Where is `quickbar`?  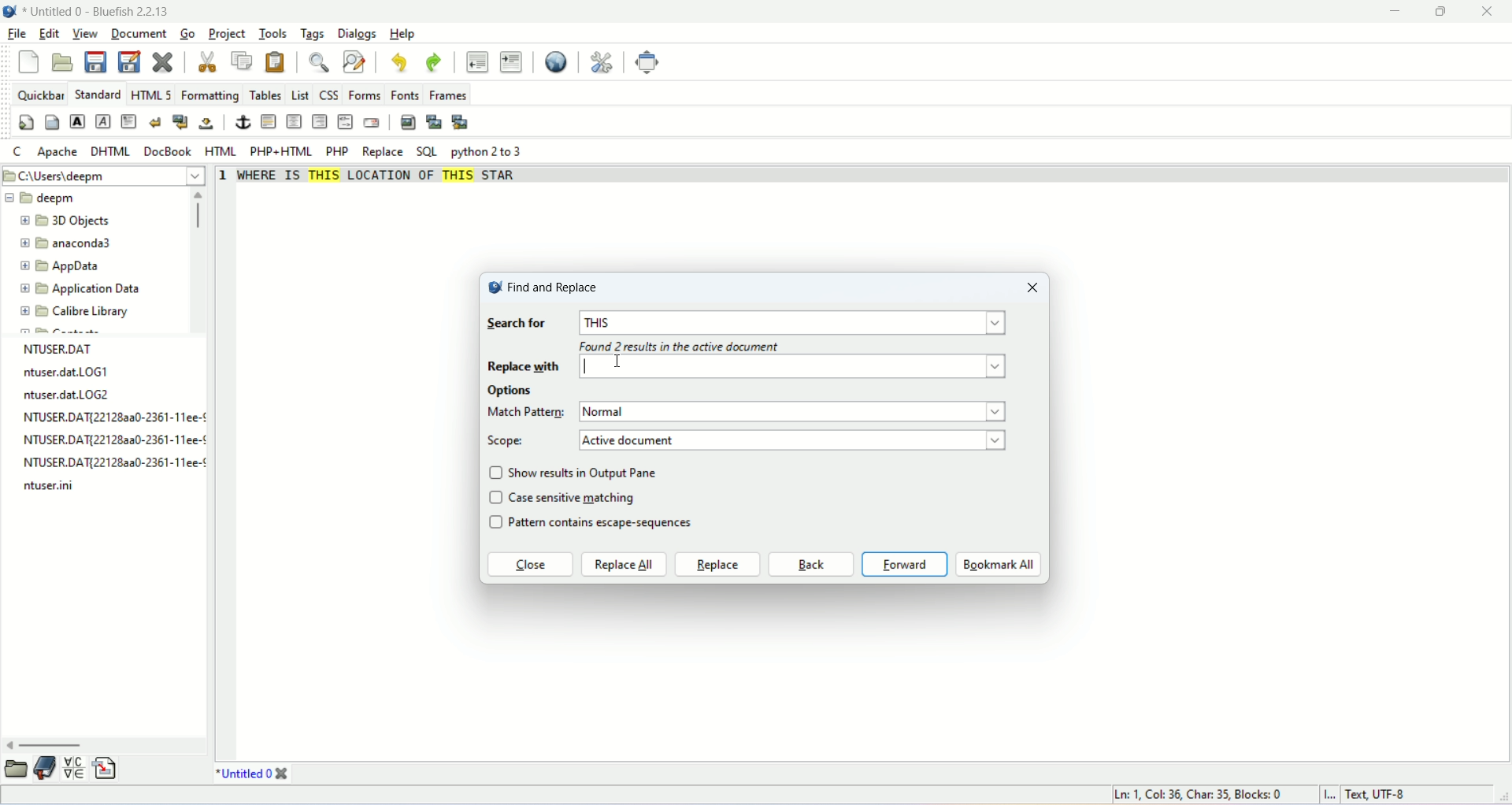
quickbar is located at coordinates (39, 95).